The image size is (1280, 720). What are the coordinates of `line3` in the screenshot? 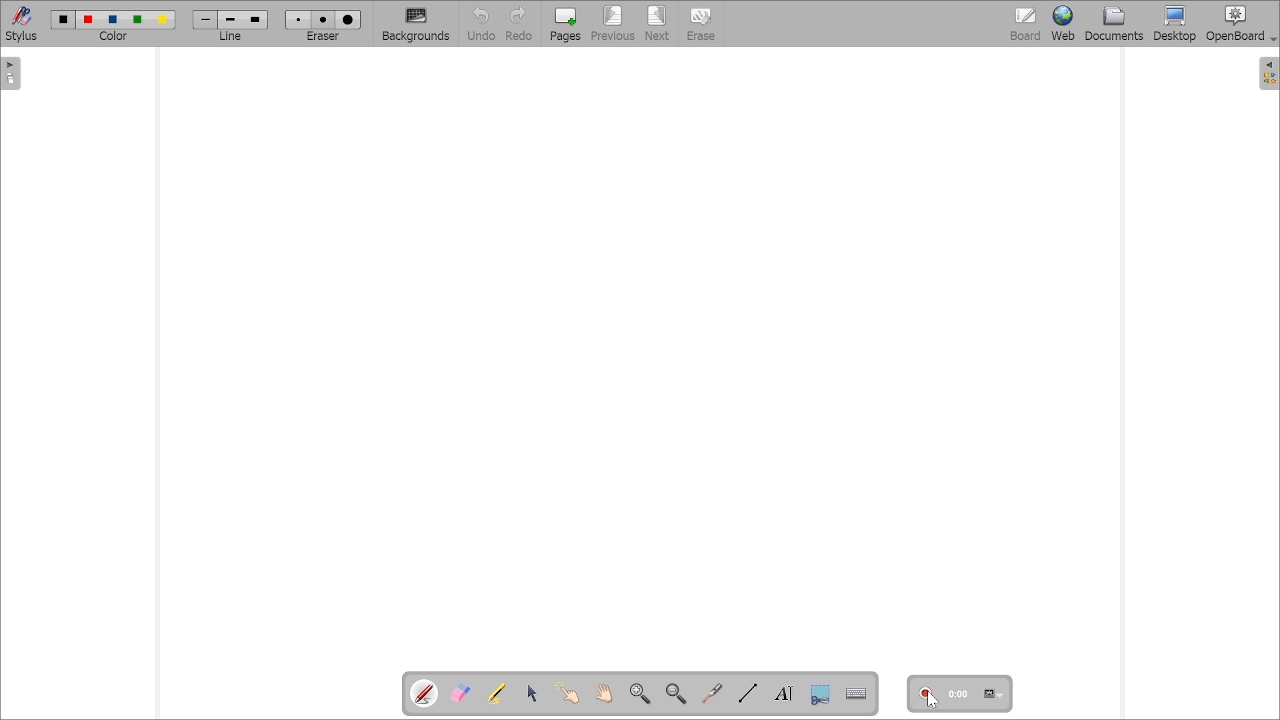 It's located at (255, 20).